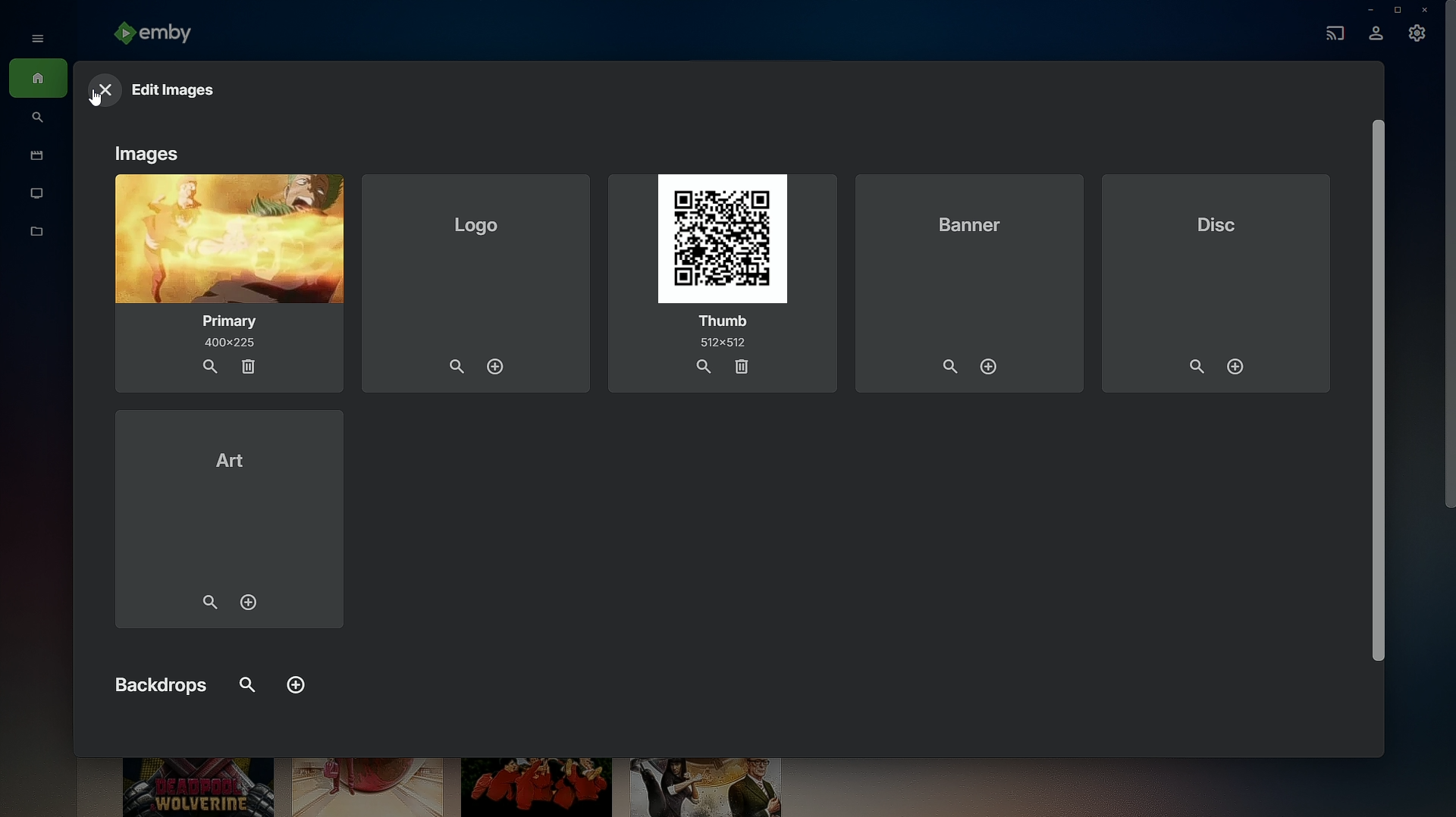 The height and width of the screenshot is (817, 1456). What do you see at coordinates (1427, 10) in the screenshot?
I see `Close` at bounding box center [1427, 10].